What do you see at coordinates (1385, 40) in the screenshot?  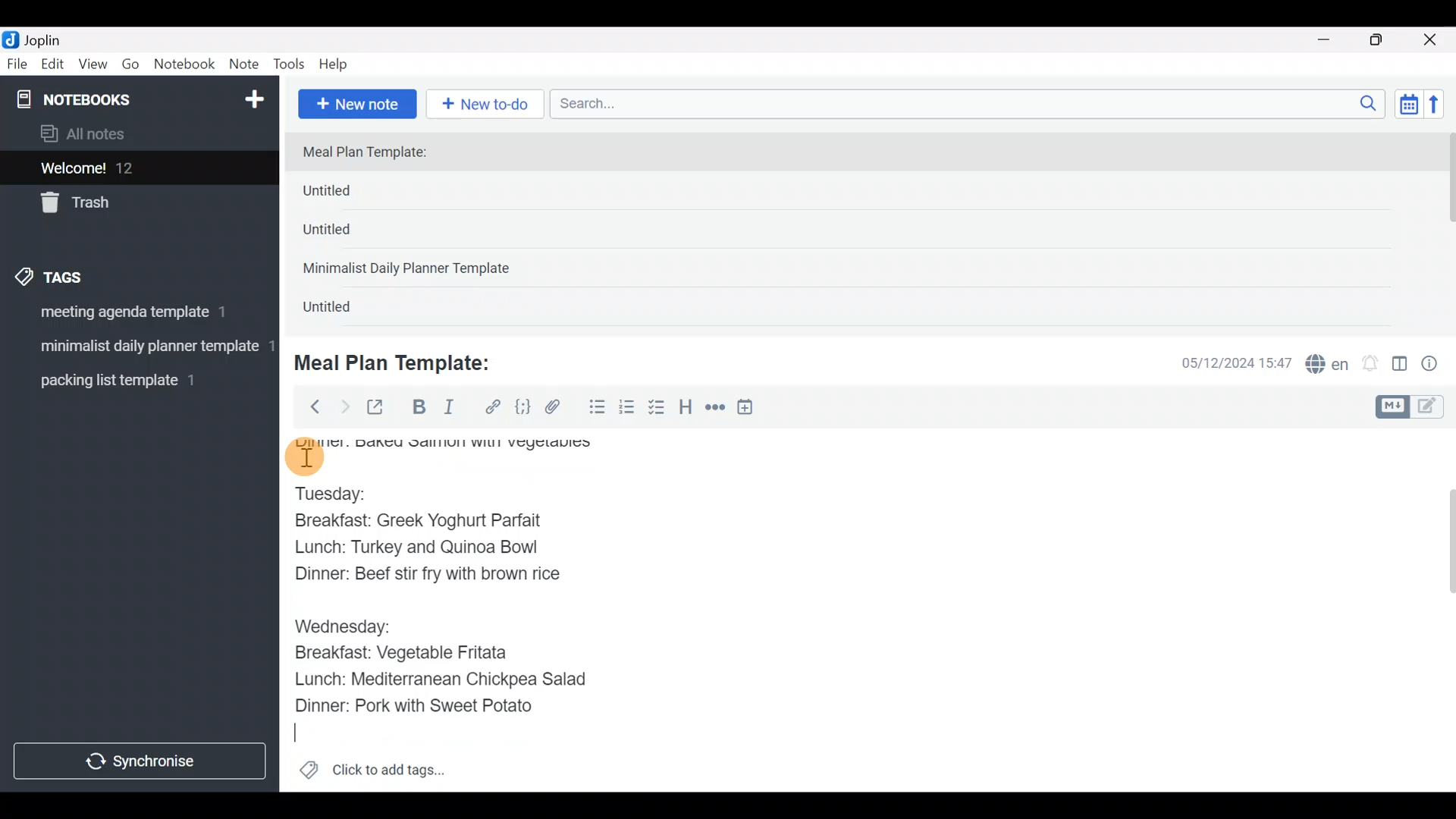 I see `Maximize` at bounding box center [1385, 40].